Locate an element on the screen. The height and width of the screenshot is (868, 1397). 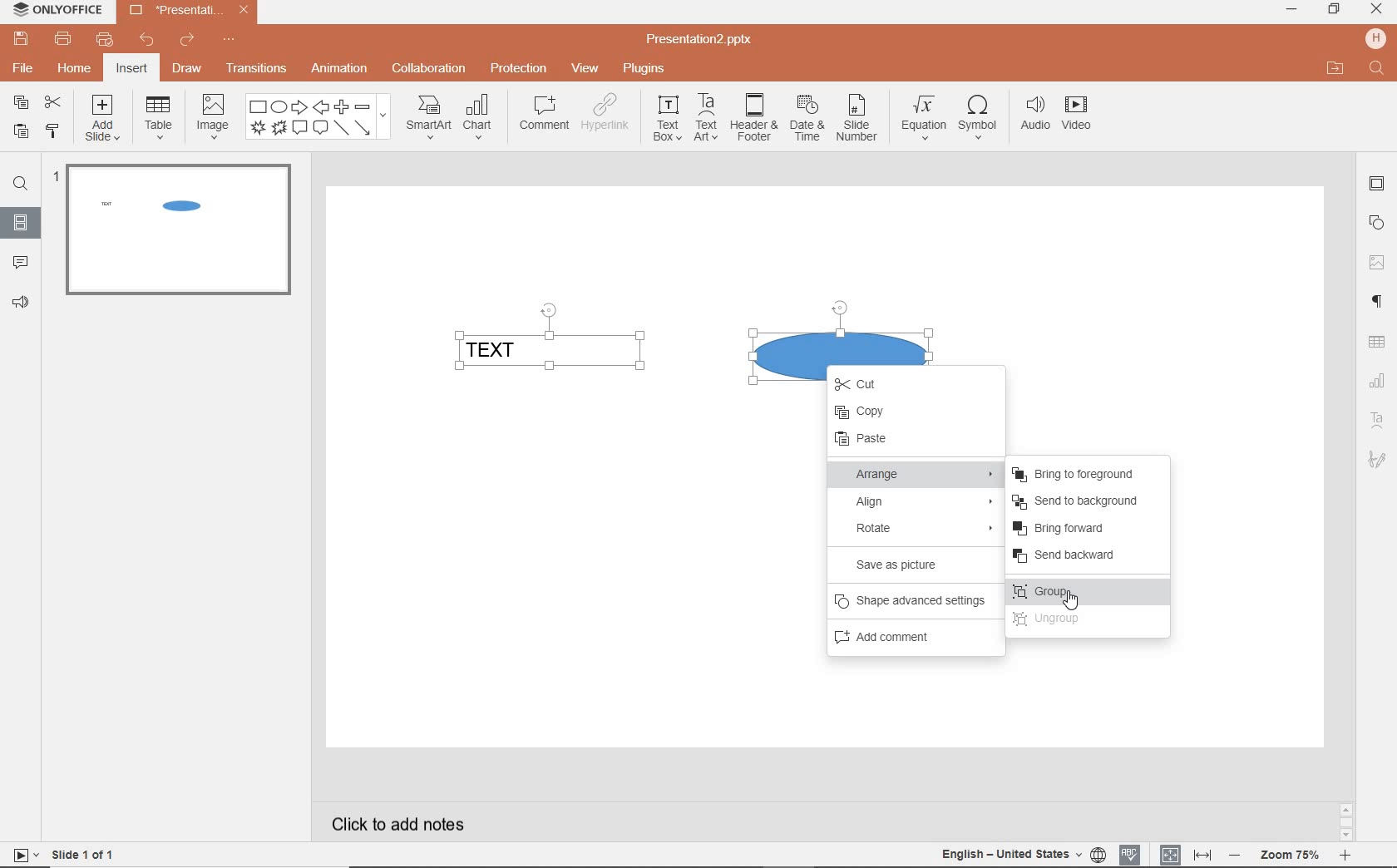
COMMENTS is located at coordinates (19, 259).